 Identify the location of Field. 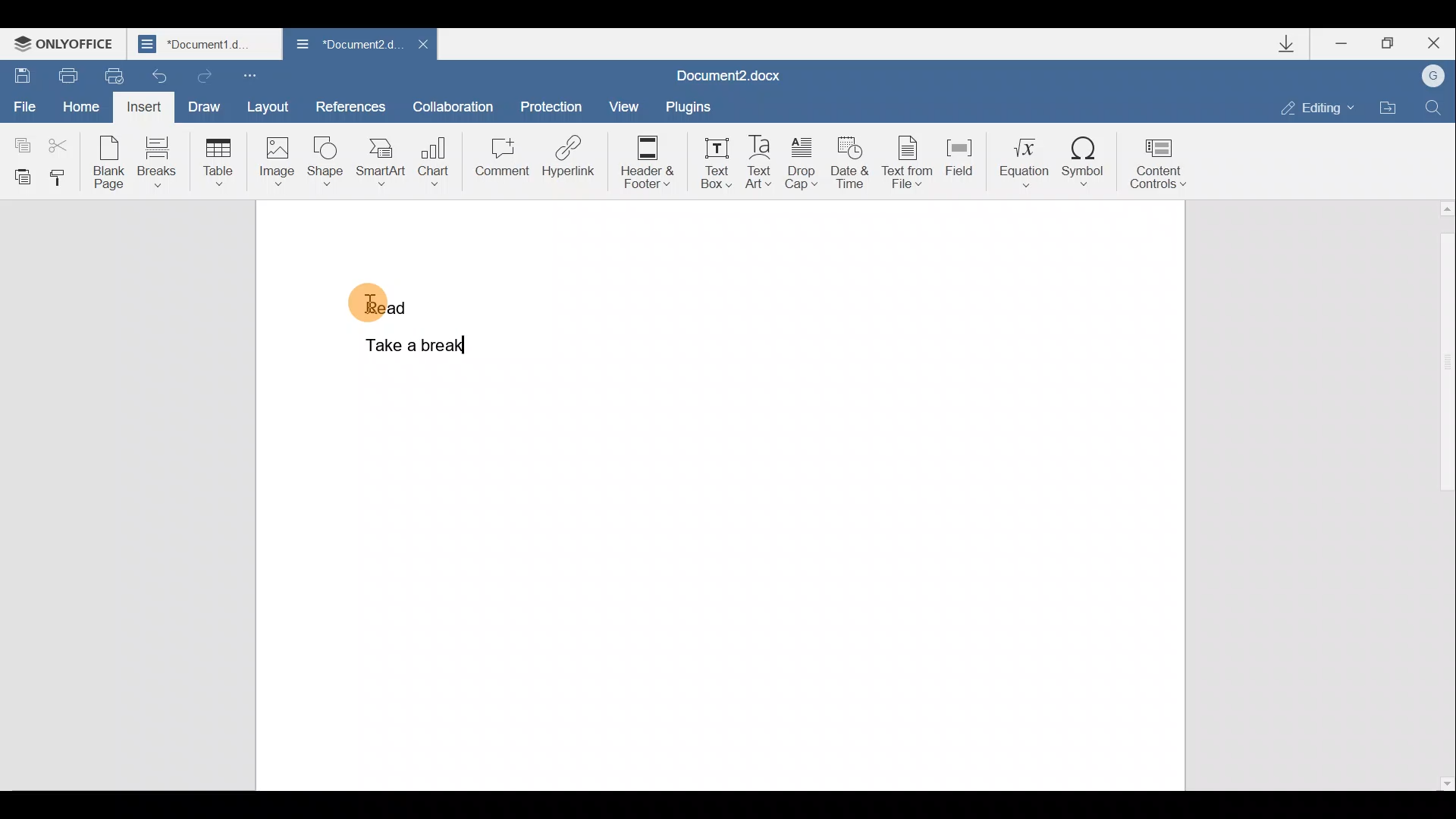
(959, 163).